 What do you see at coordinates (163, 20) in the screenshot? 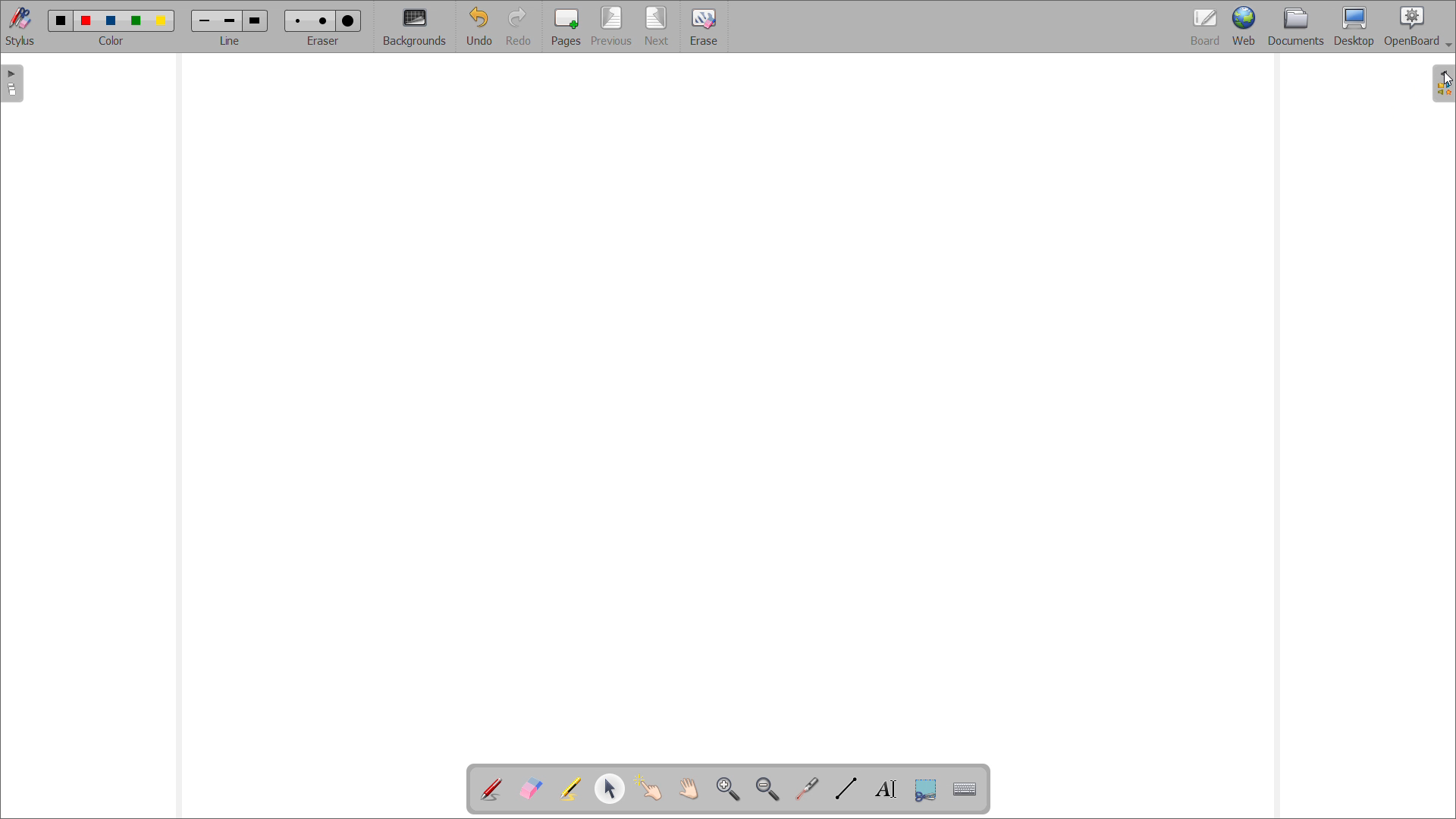
I see `Color 5` at bounding box center [163, 20].